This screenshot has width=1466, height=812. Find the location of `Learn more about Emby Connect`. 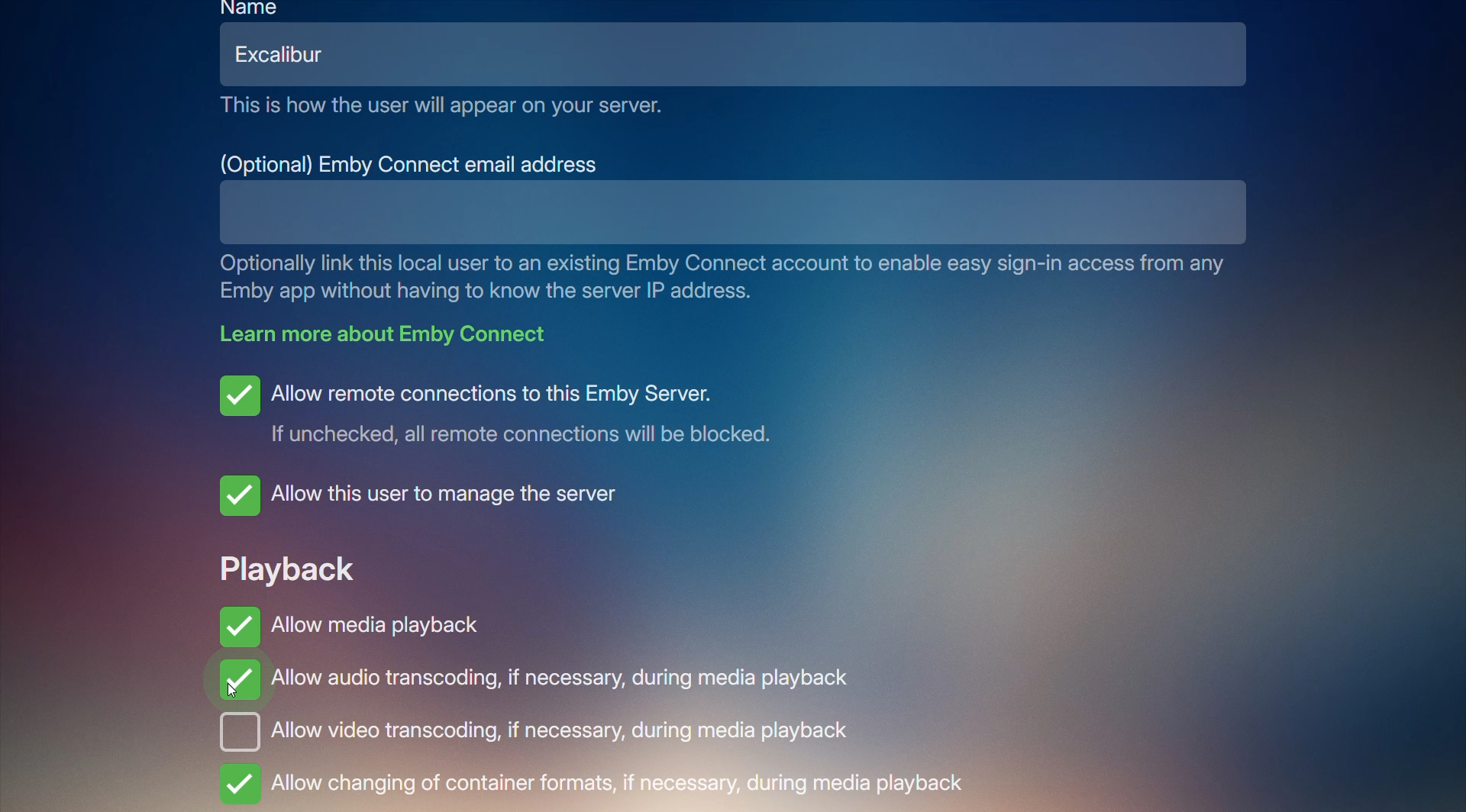

Learn more about Emby Connect is located at coordinates (392, 333).